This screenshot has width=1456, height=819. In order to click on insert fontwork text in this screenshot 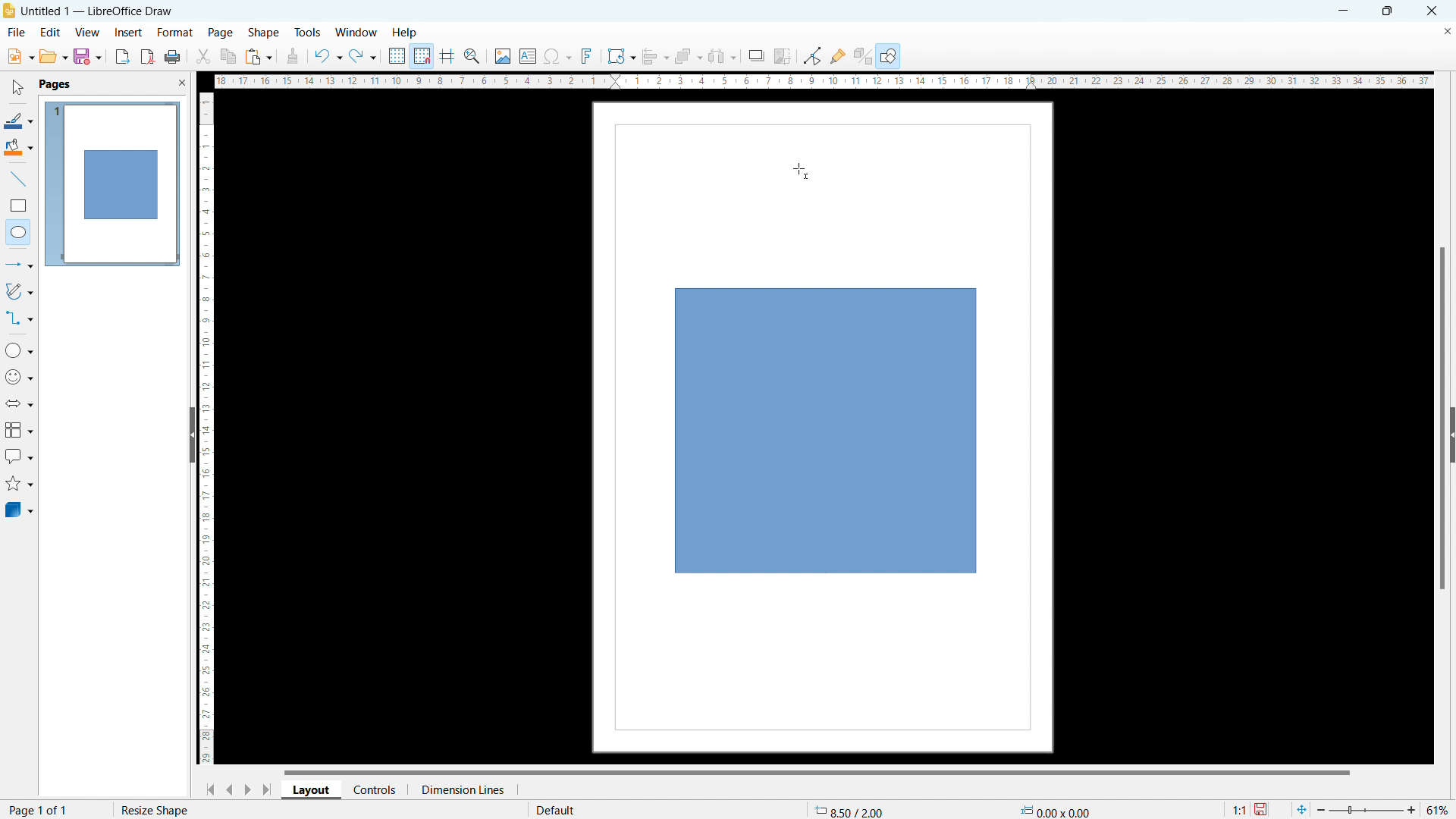, I will do `click(587, 55)`.